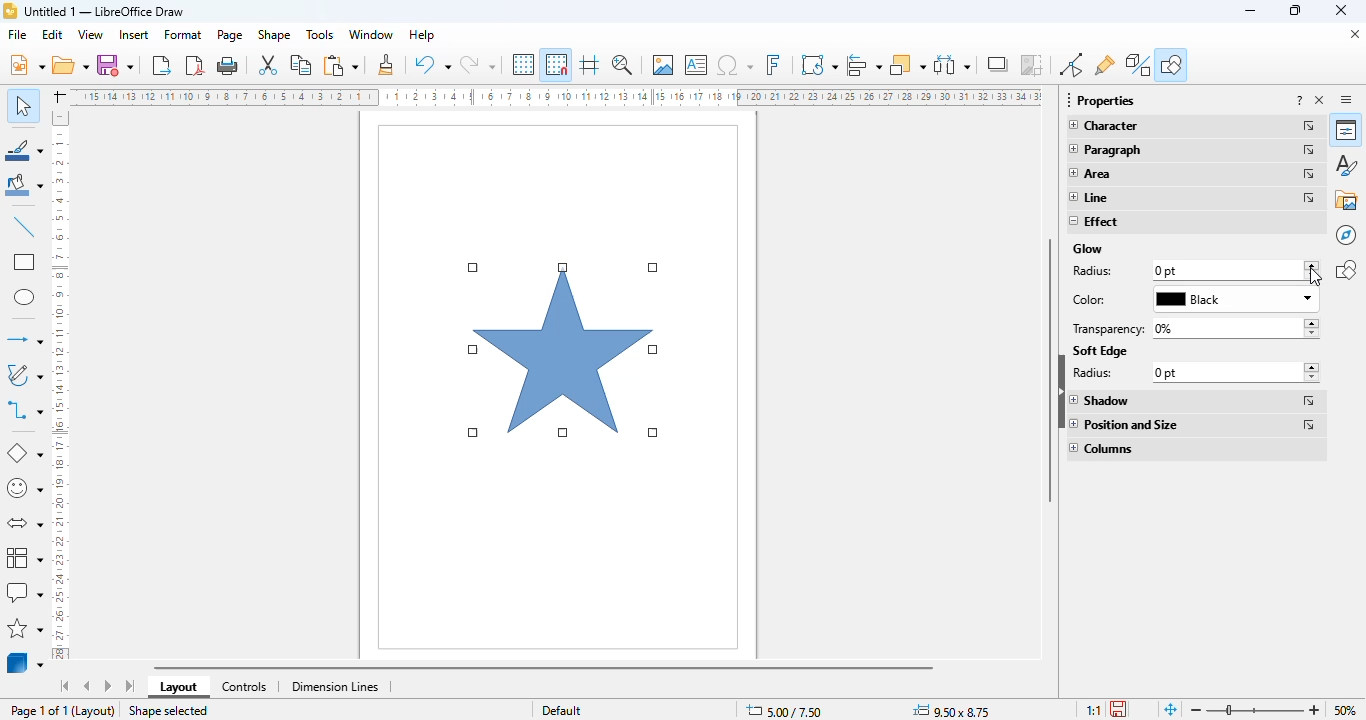 The width and height of the screenshot is (1366, 720). I want to click on scroll to first sheet, so click(64, 686).